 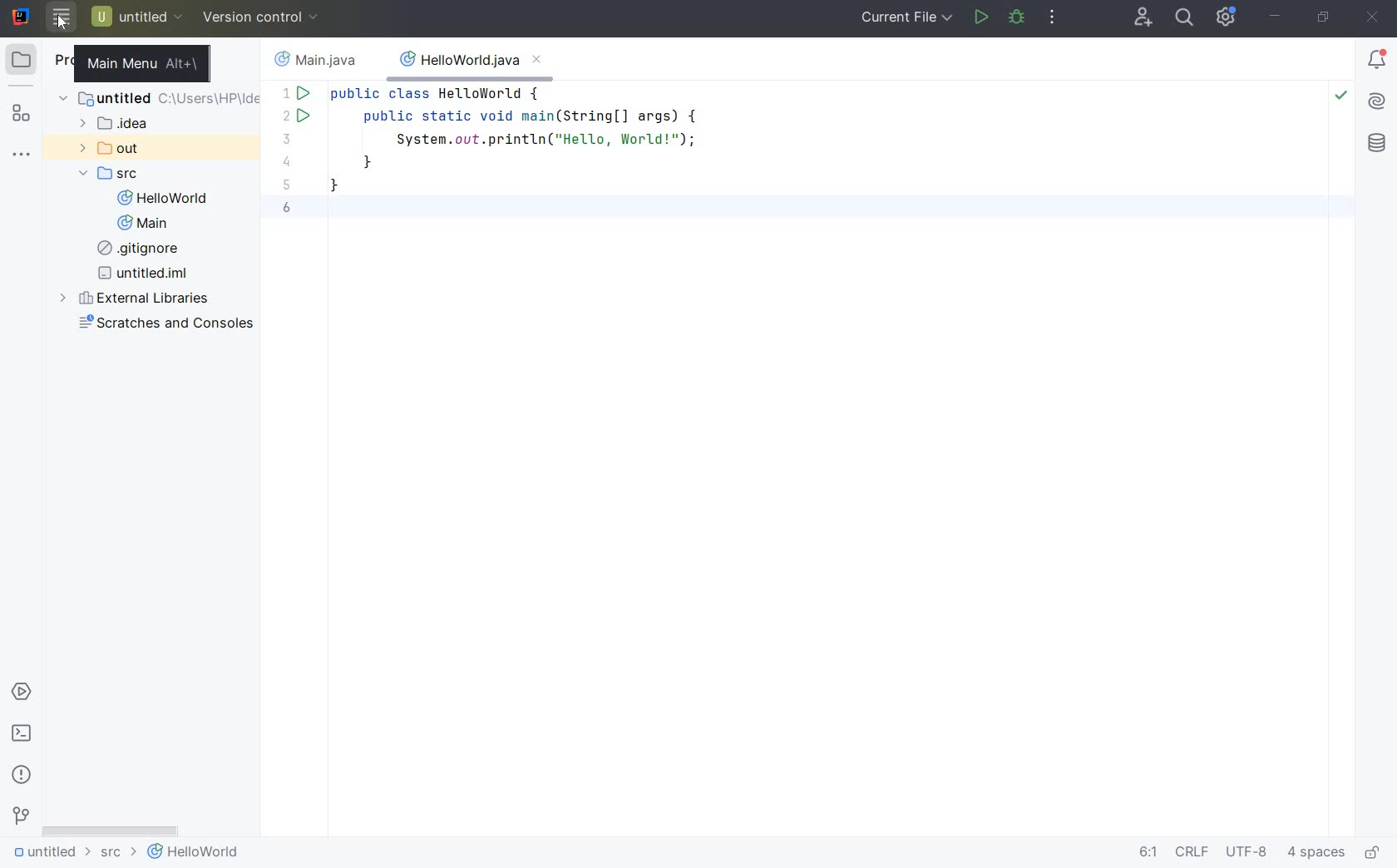 What do you see at coordinates (136, 250) in the screenshot?
I see `gitignore` at bounding box center [136, 250].